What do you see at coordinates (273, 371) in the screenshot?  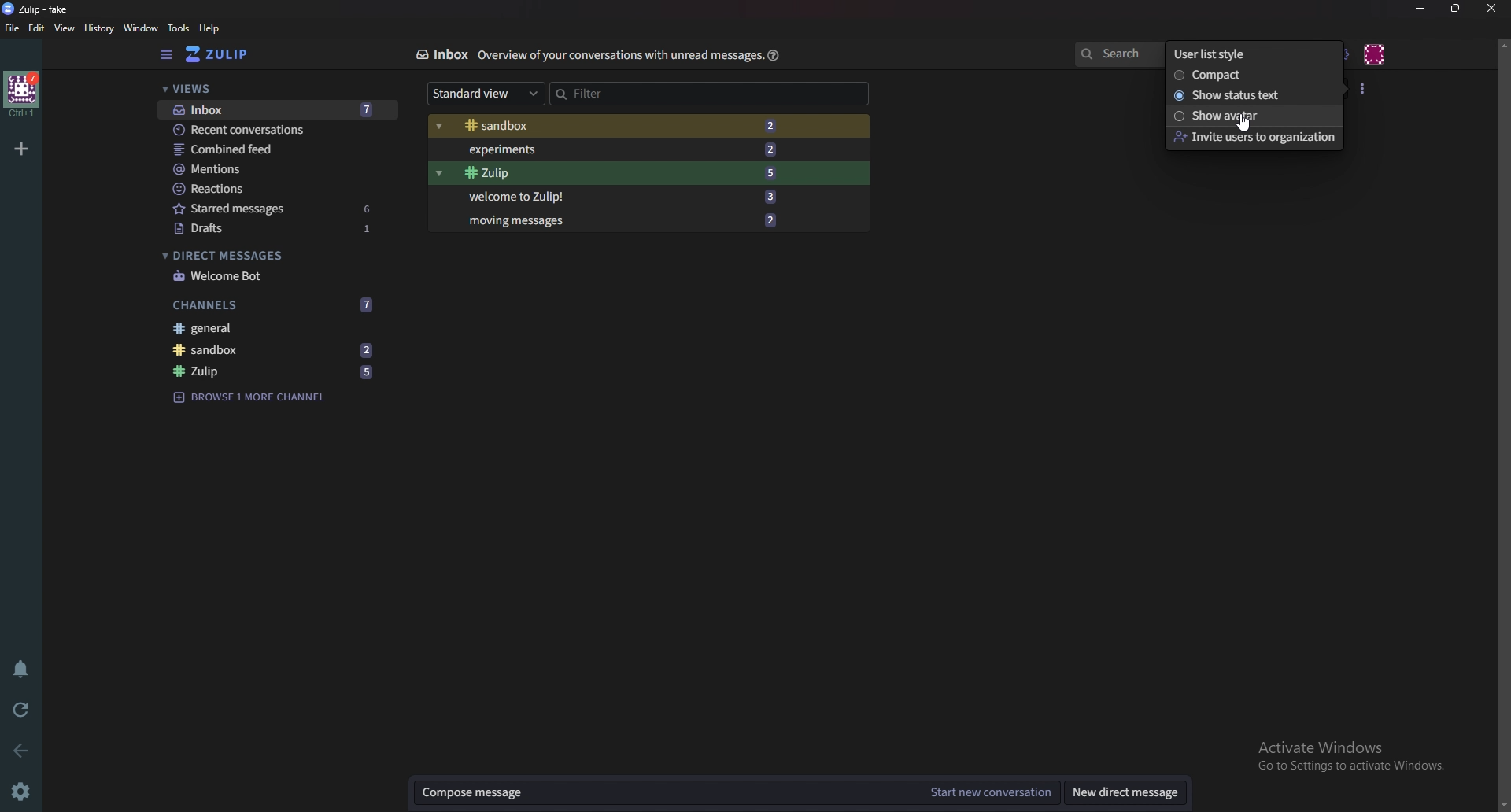 I see `Zulip` at bounding box center [273, 371].